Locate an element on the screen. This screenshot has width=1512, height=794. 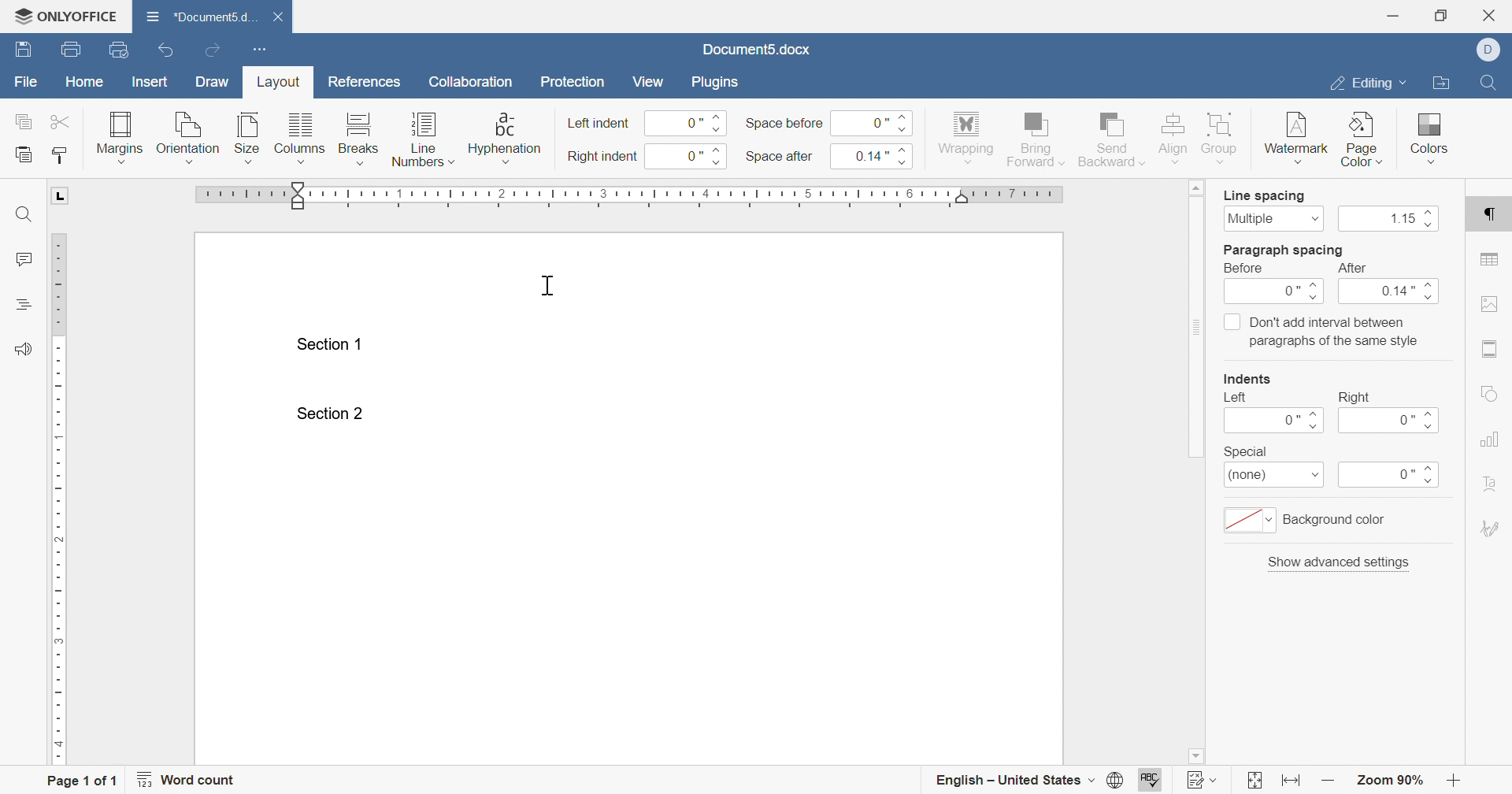
page color is located at coordinates (1363, 139).